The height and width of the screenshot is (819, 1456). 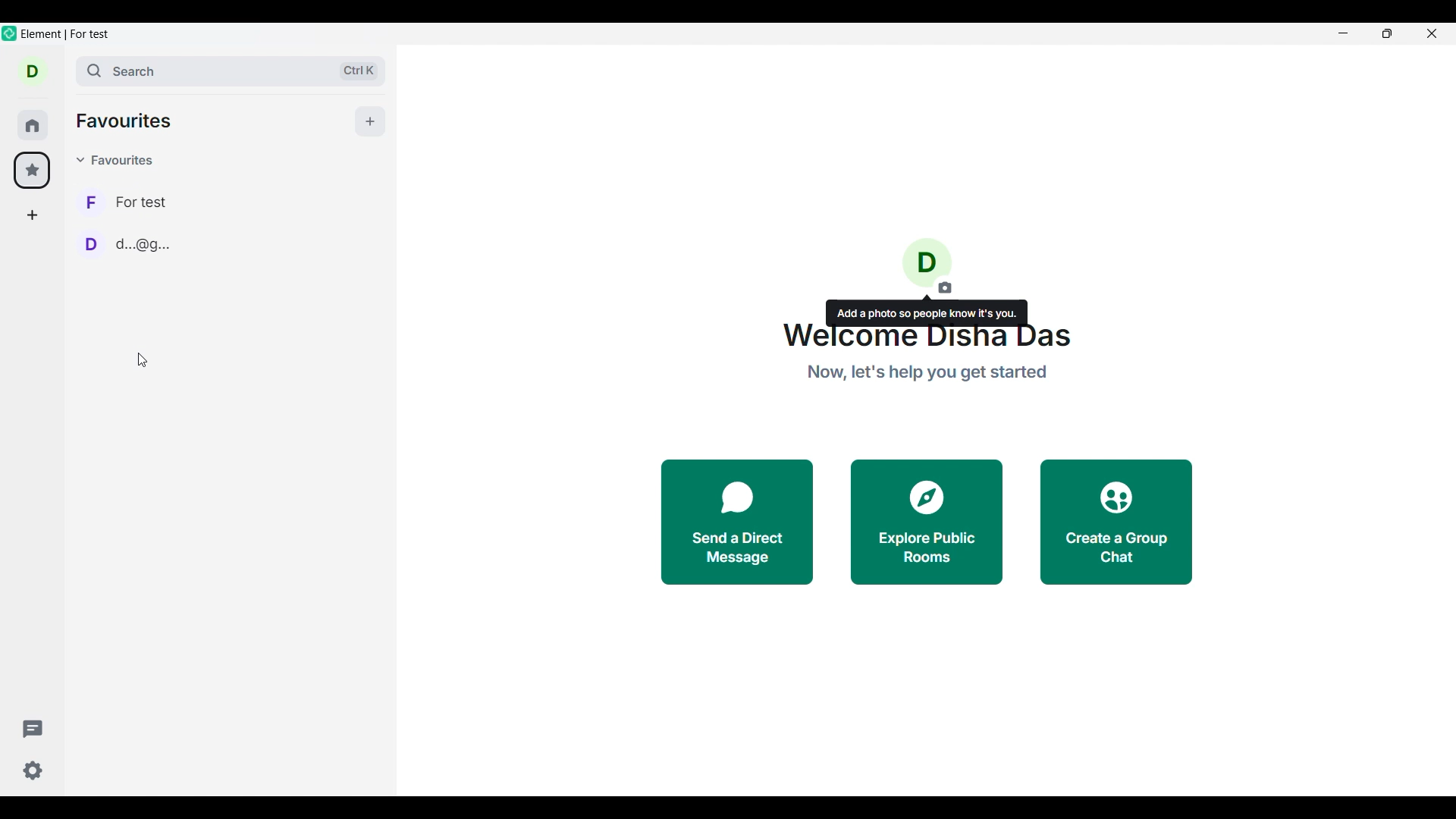 I want to click on Current account, so click(x=33, y=71).